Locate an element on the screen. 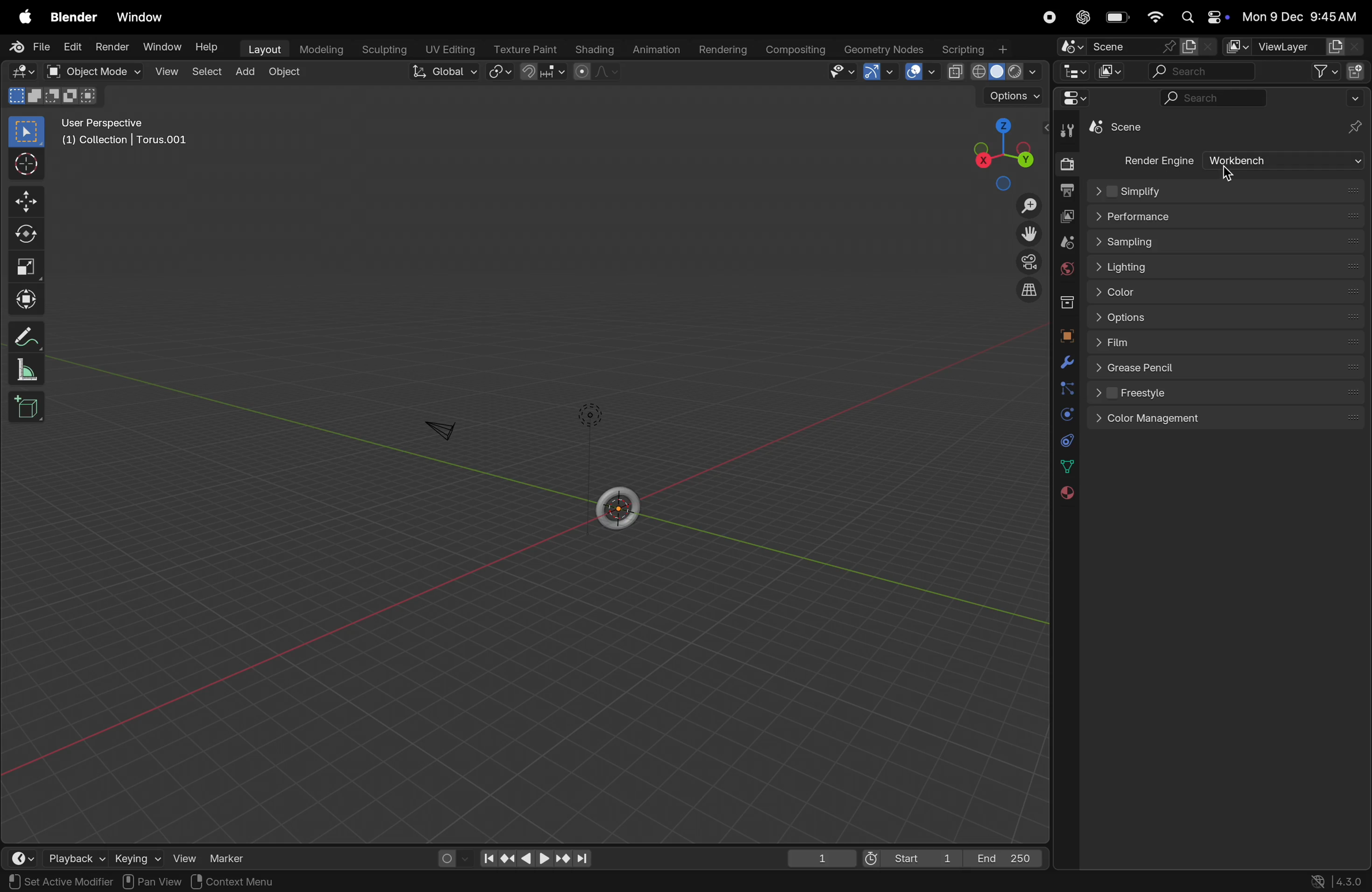 The height and width of the screenshot is (892, 1372). sampling is located at coordinates (1224, 243).